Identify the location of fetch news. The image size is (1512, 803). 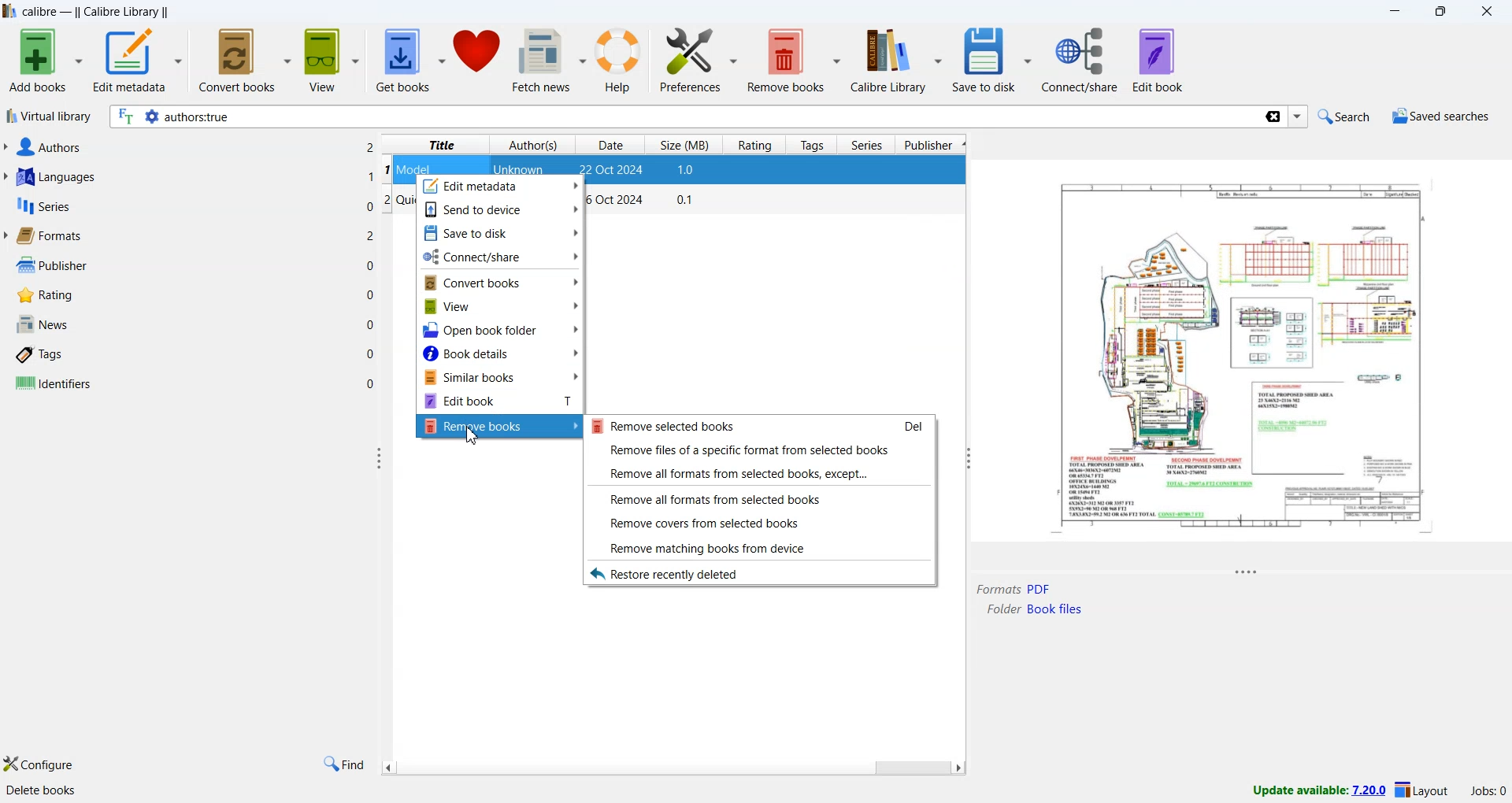
(551, 63).